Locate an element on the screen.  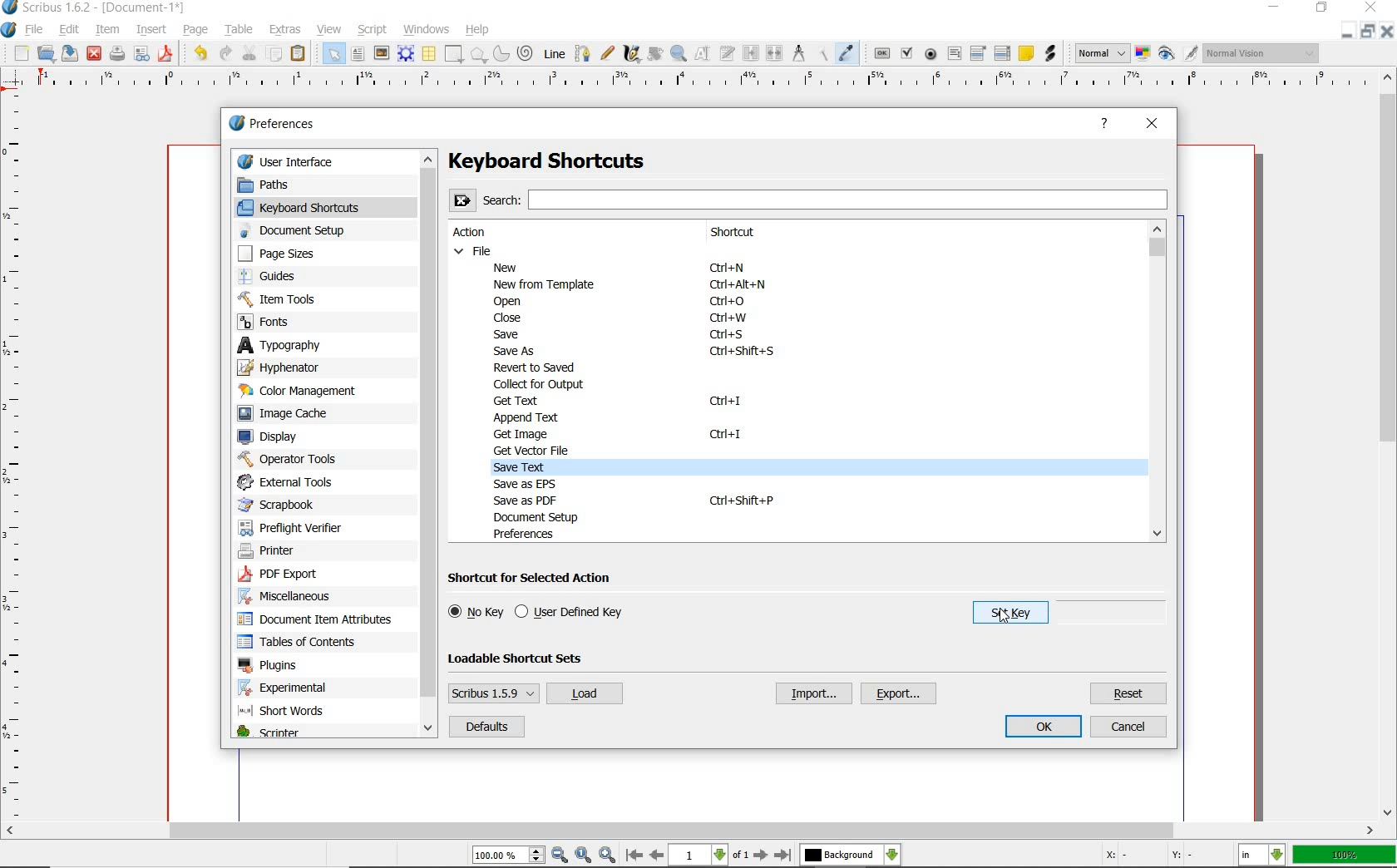
page is located at coordinates (195, 30).